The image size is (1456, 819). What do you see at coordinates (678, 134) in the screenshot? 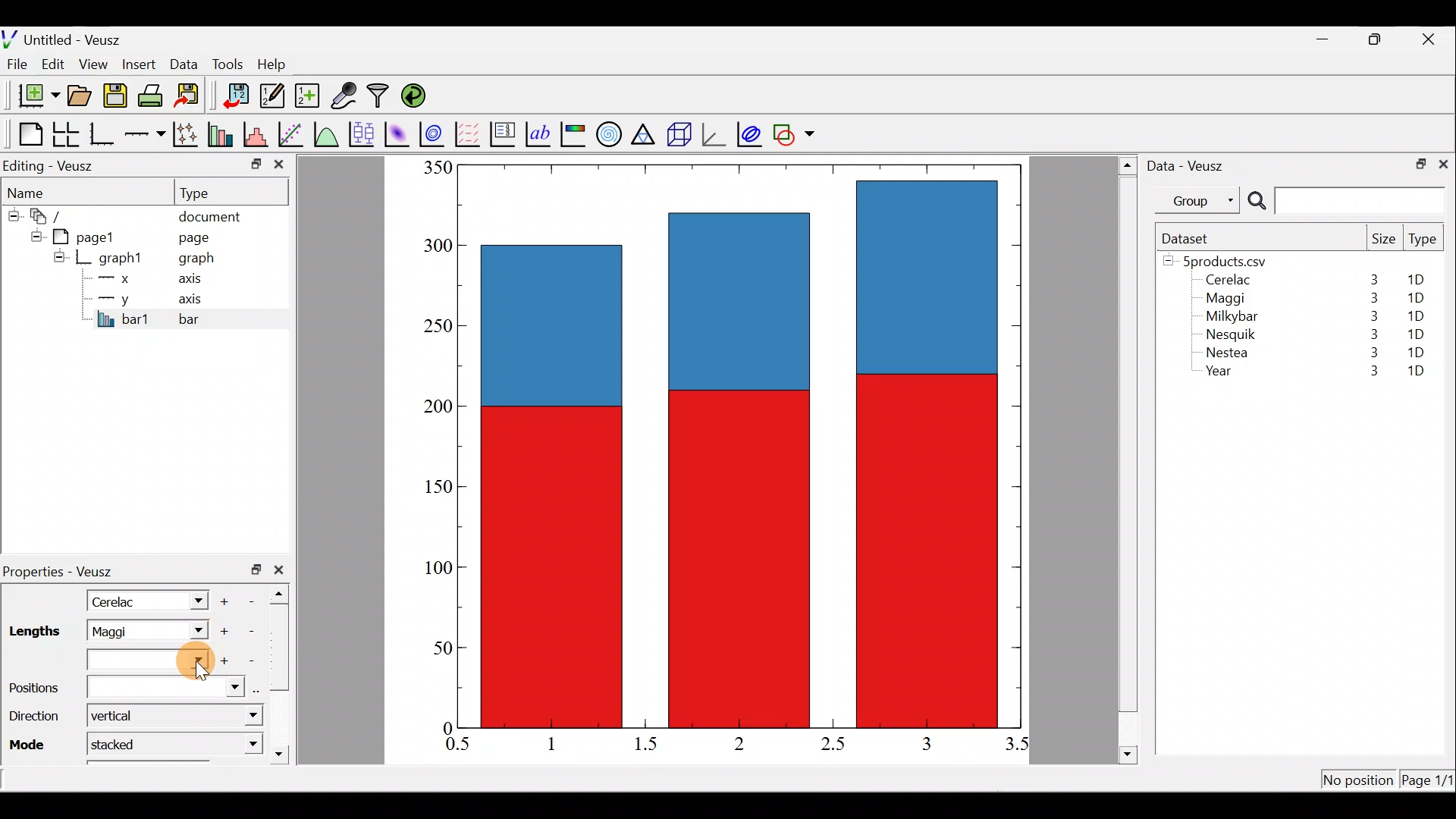
I see `3d scene` at bounding box center [678, 134].